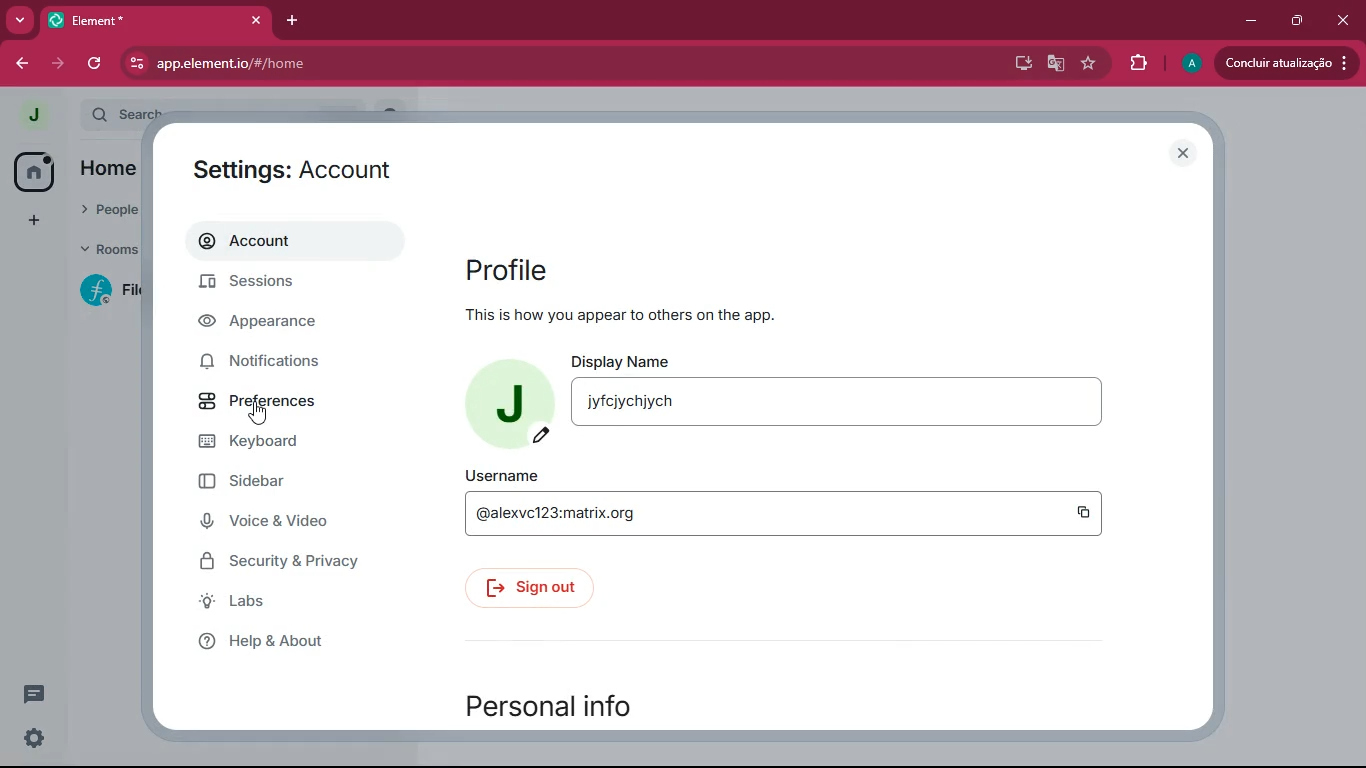  What do you see at coordinates (112, 210) in the screenshot?
I see `people` at bounding box center [112, 210].